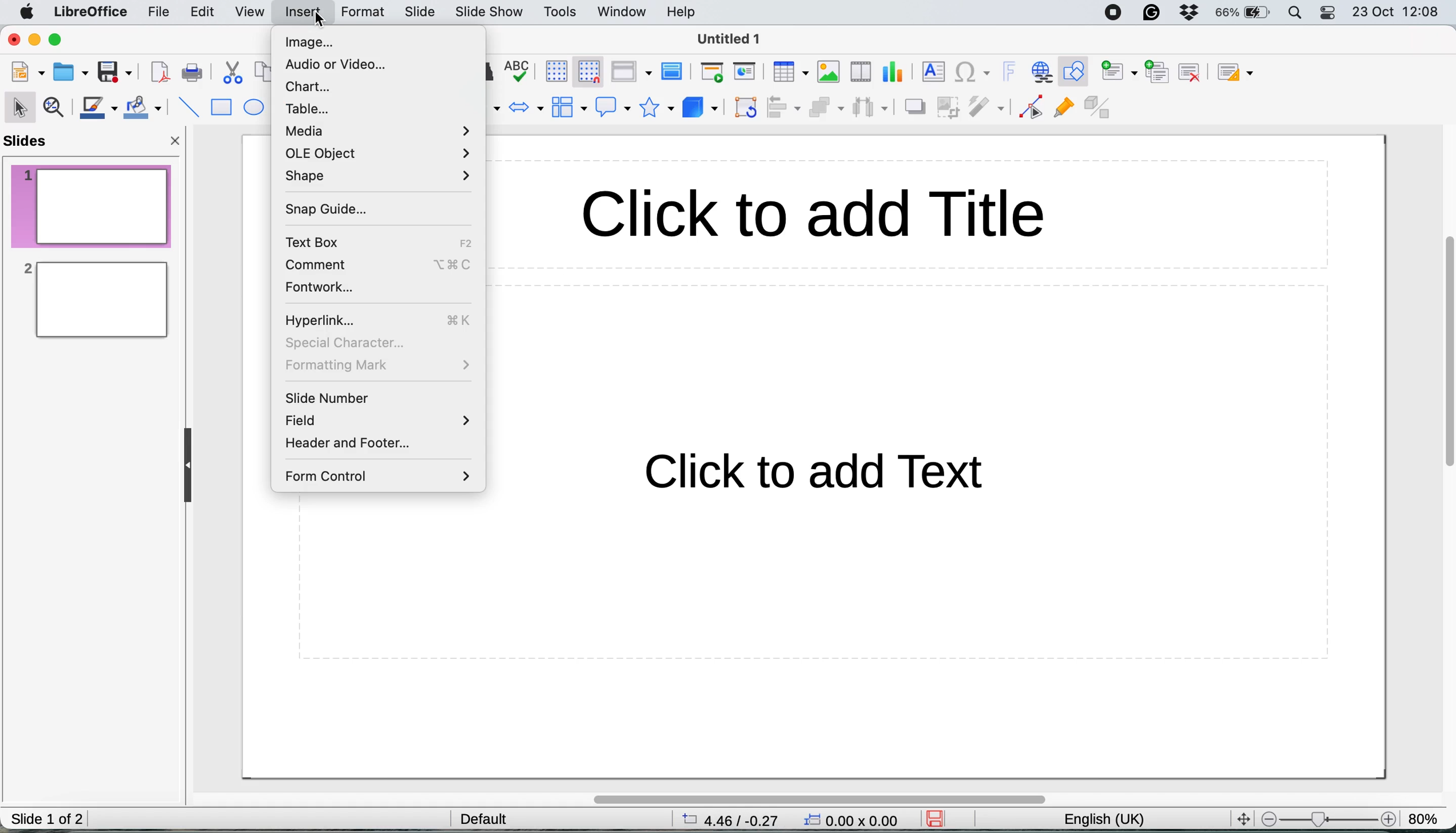 The width and height of the screenshot is (1456, 833). I want to click on show draw functions, so click(1077, 72).